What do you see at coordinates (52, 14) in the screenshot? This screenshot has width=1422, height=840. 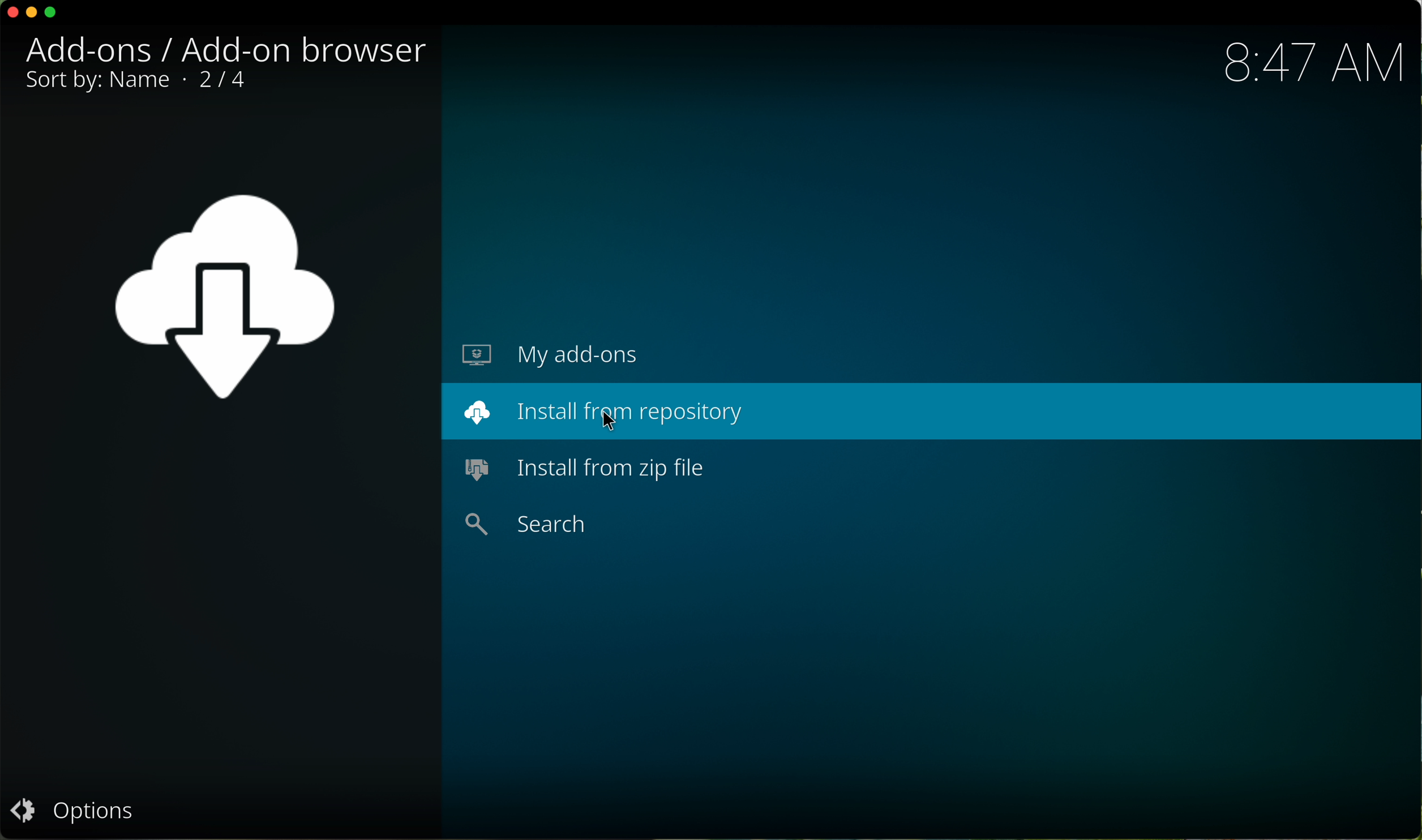 I see `maximize program` at bounding box center [52, 14].